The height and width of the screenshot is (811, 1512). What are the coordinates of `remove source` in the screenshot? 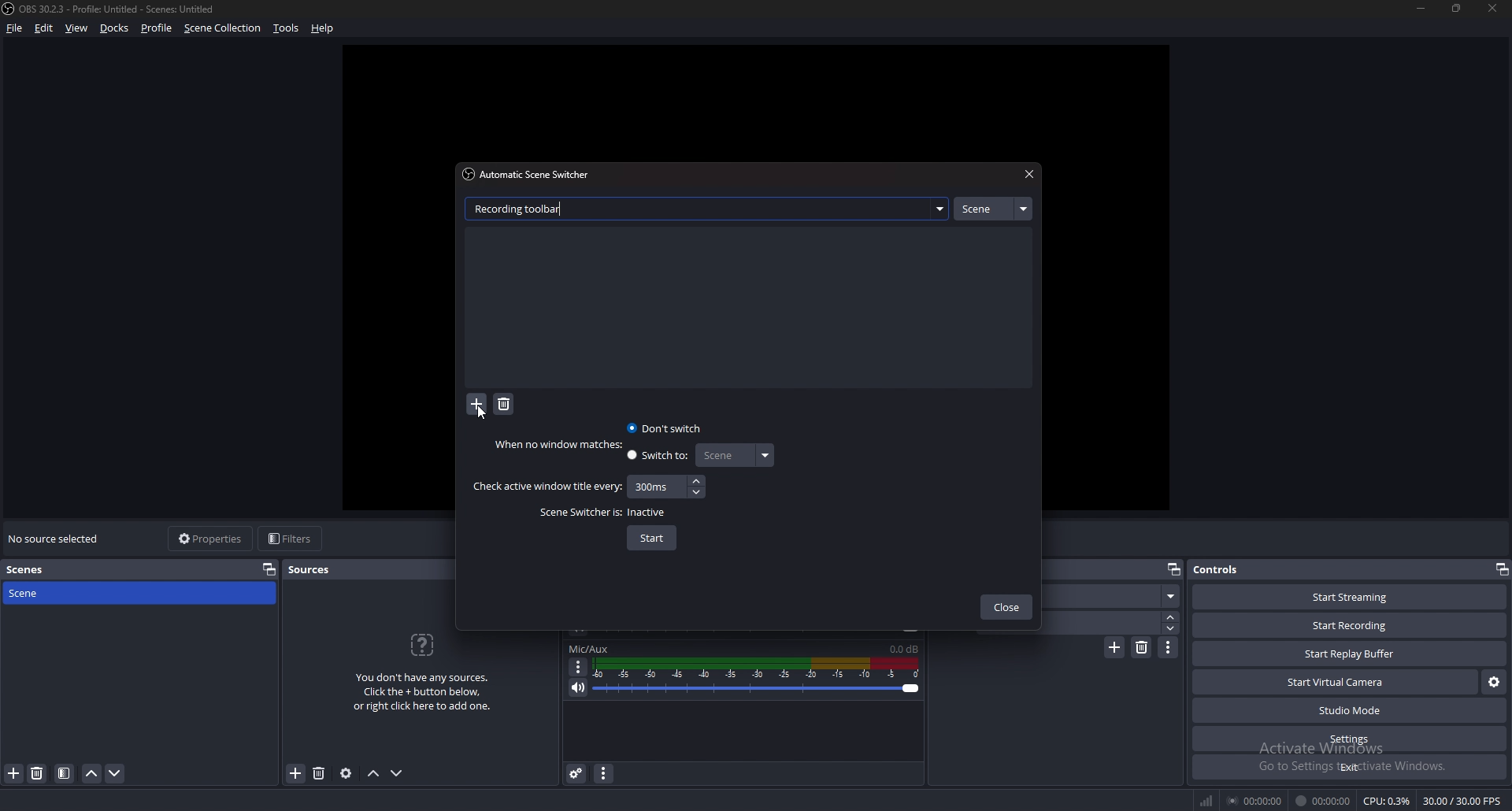 It's located at (319, 774).